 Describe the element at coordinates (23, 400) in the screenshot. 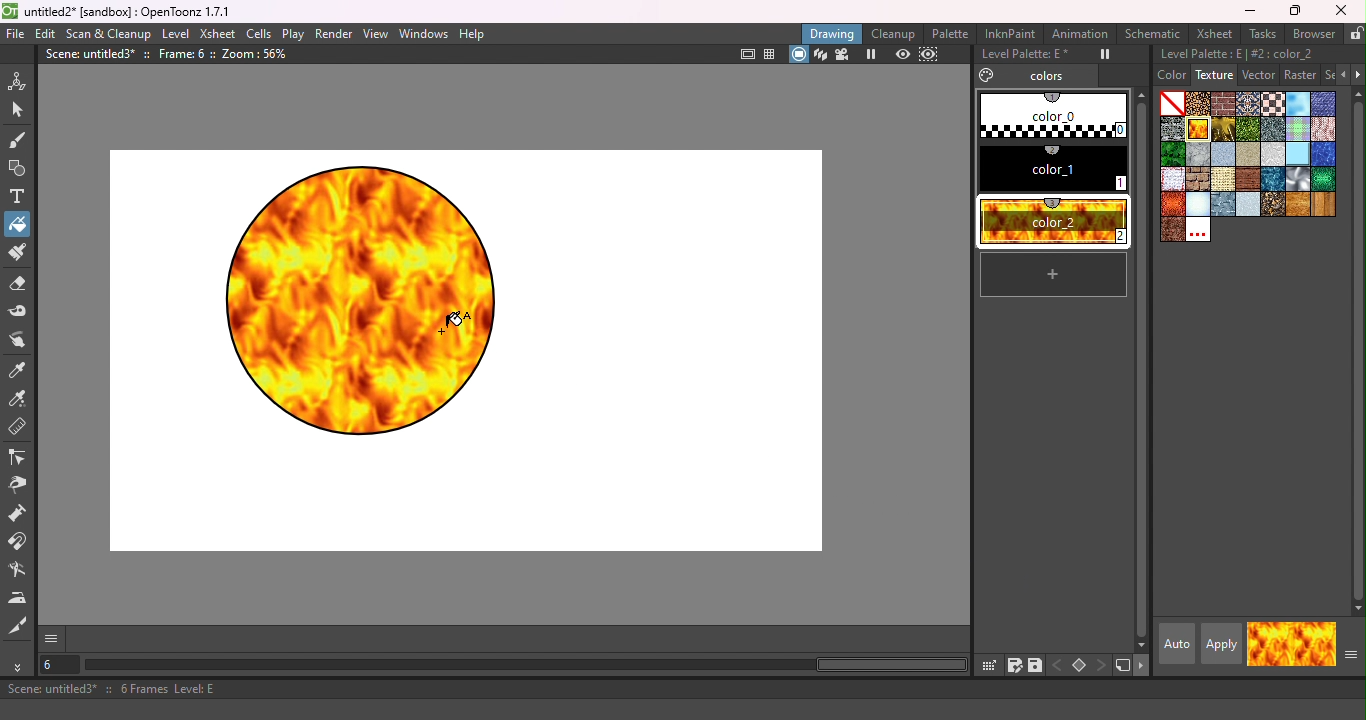

I see `RGB Picker tool` at that location.